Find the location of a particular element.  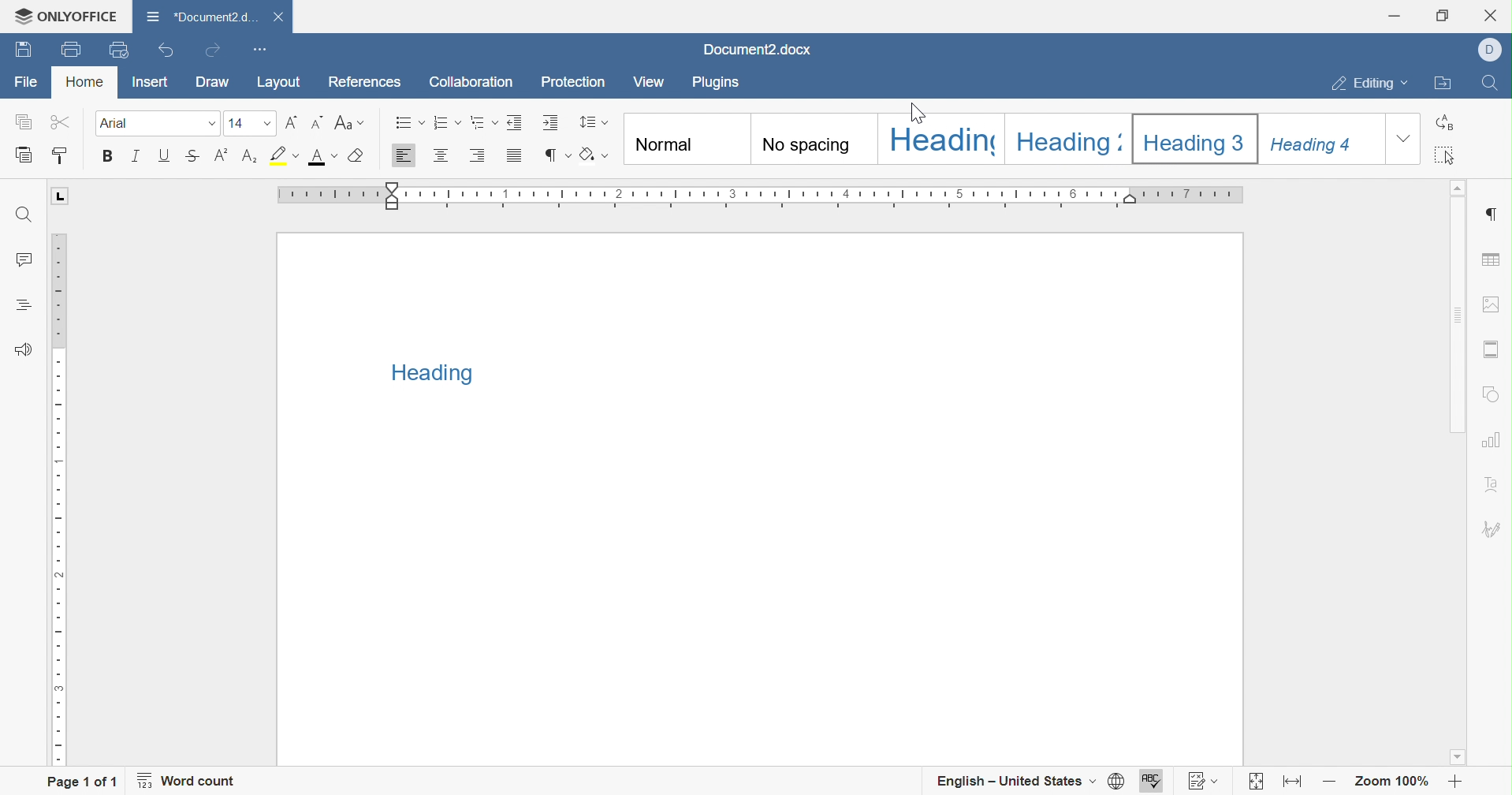

Align center is located at coordinates (441, 158).